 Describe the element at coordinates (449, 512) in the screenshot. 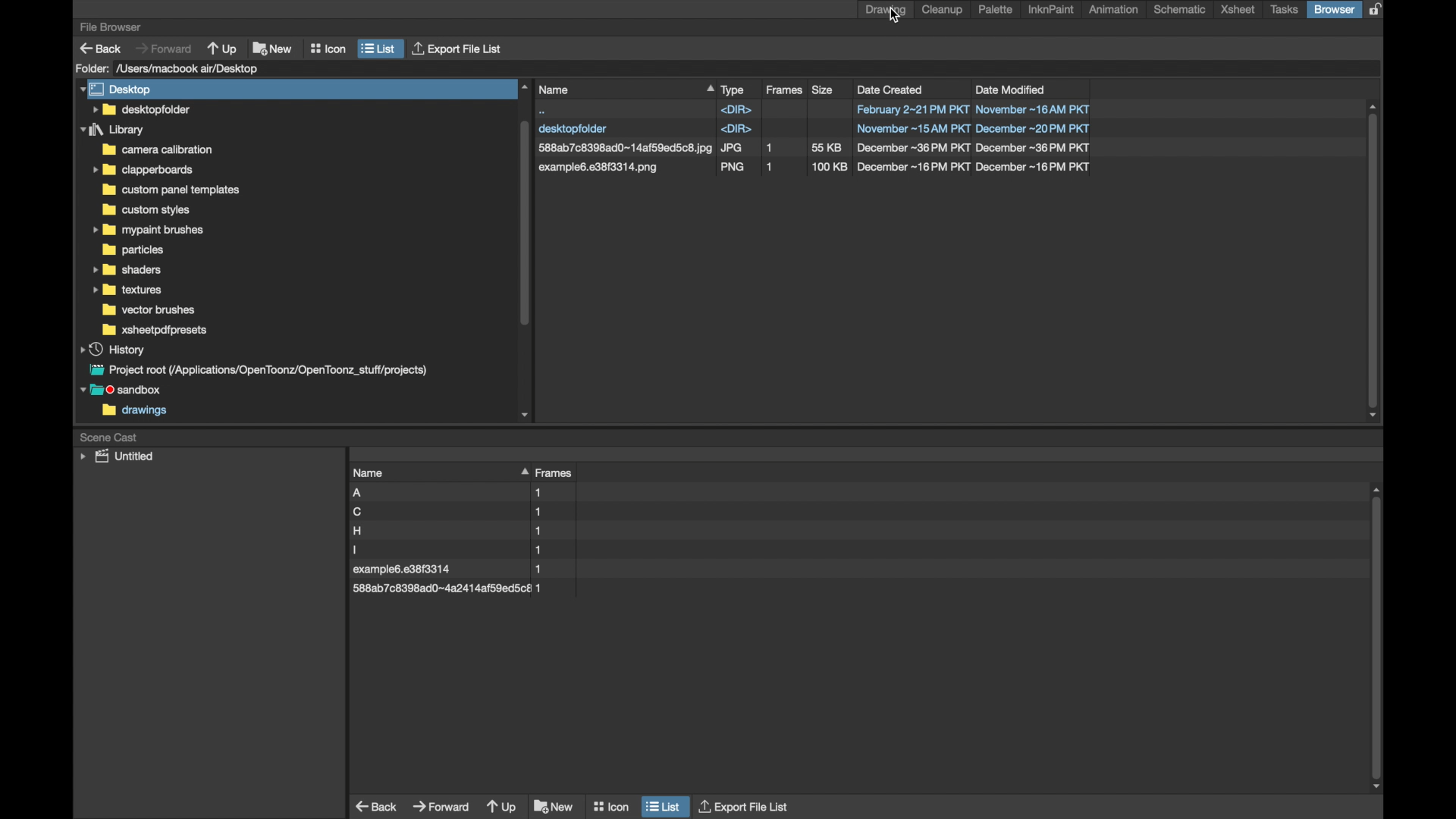

I see `file` at that location.